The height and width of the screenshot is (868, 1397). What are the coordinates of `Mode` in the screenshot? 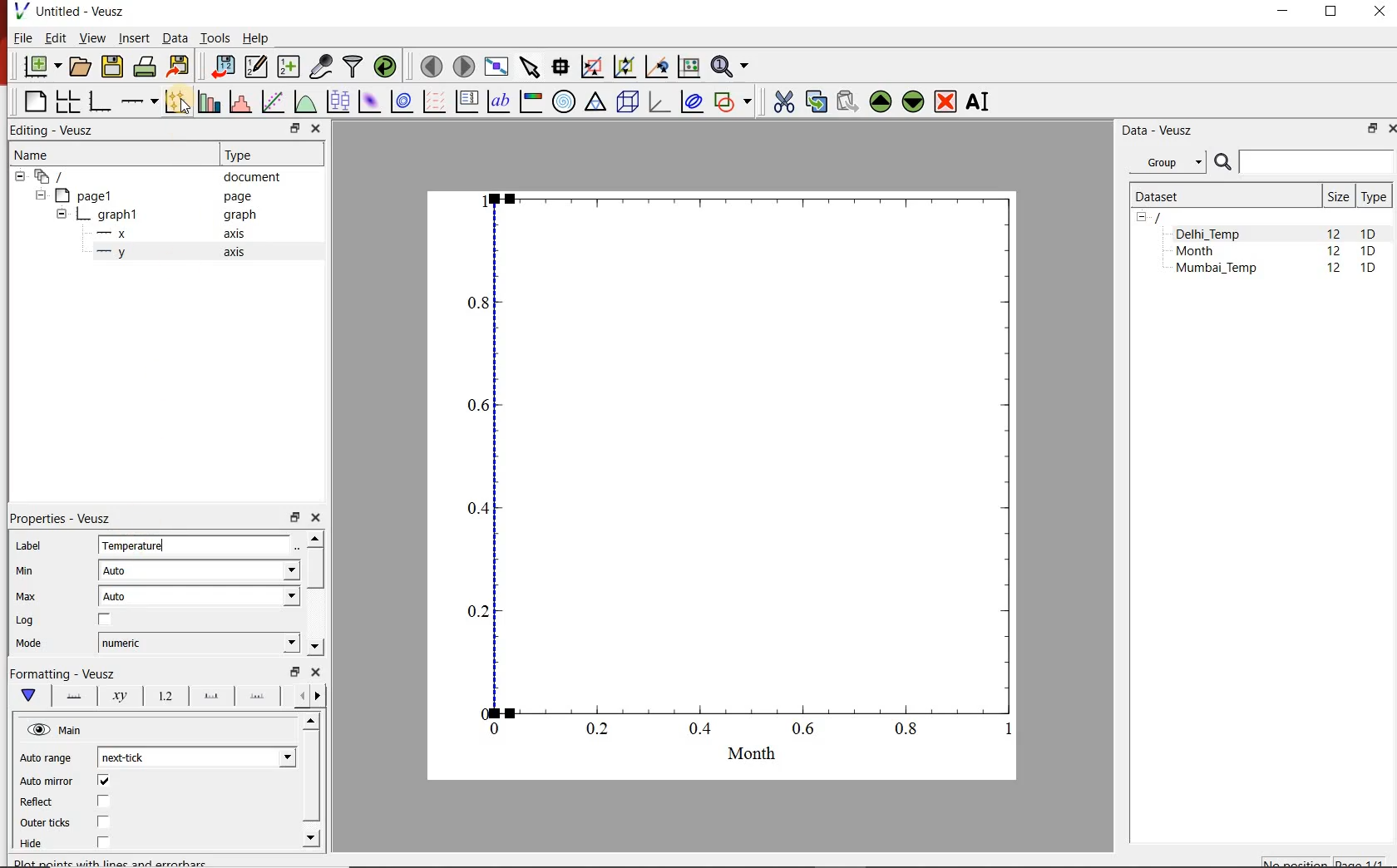 It's located at (28, 645).